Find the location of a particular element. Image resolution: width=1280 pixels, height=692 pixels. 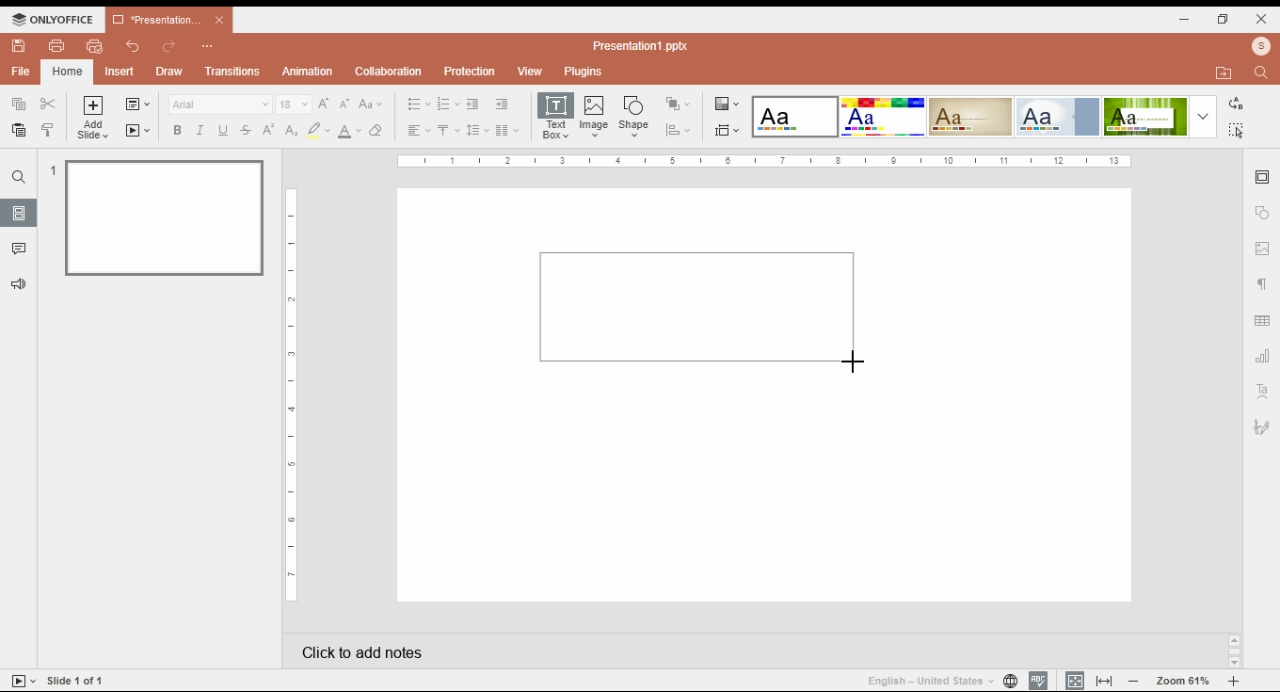

home is located at coordinates (66, 71).